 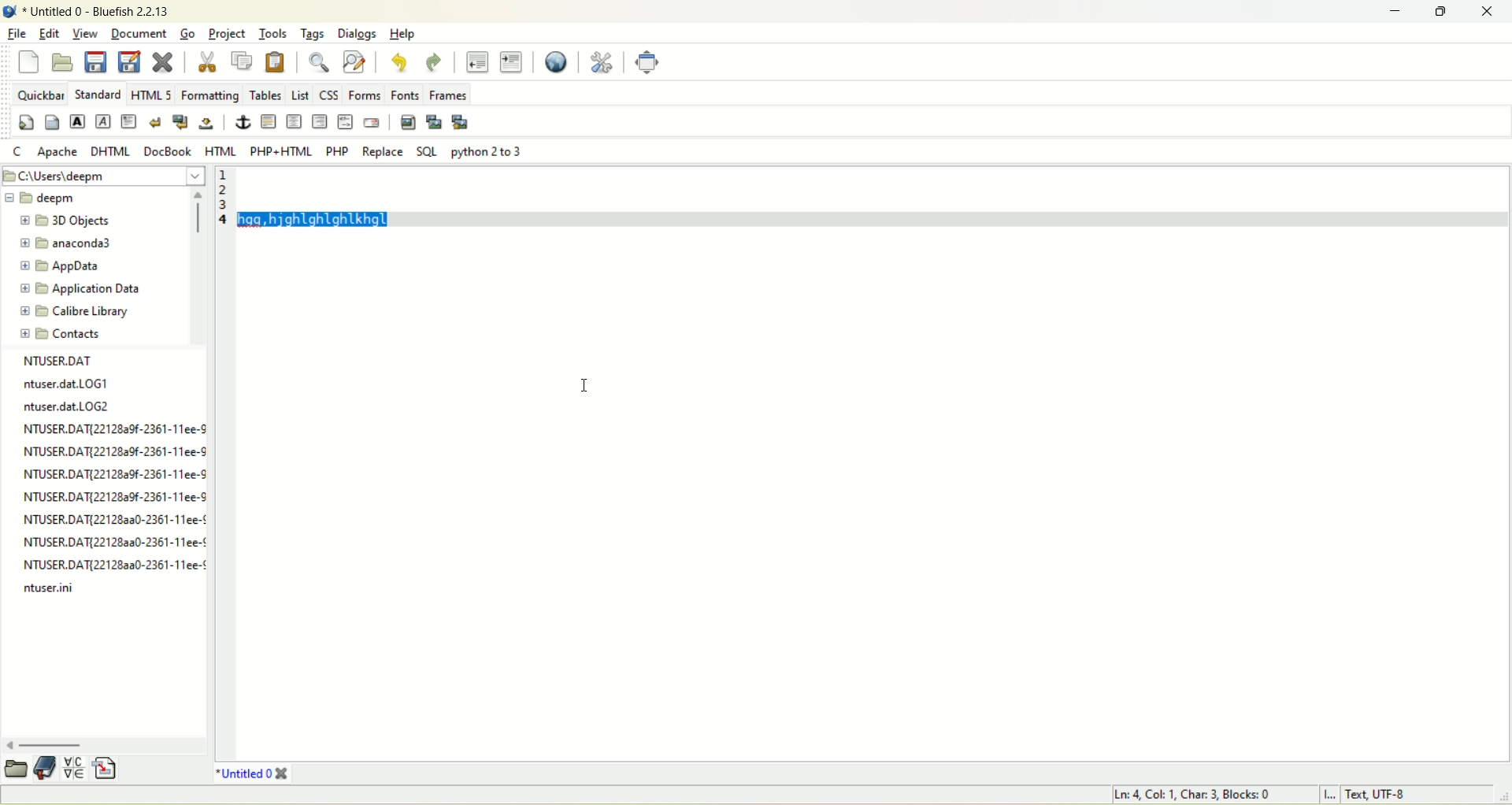 What do you see at coordinates (128, 121) in the screenshot?
I see `paragraph` at bounding box center [128, 121].